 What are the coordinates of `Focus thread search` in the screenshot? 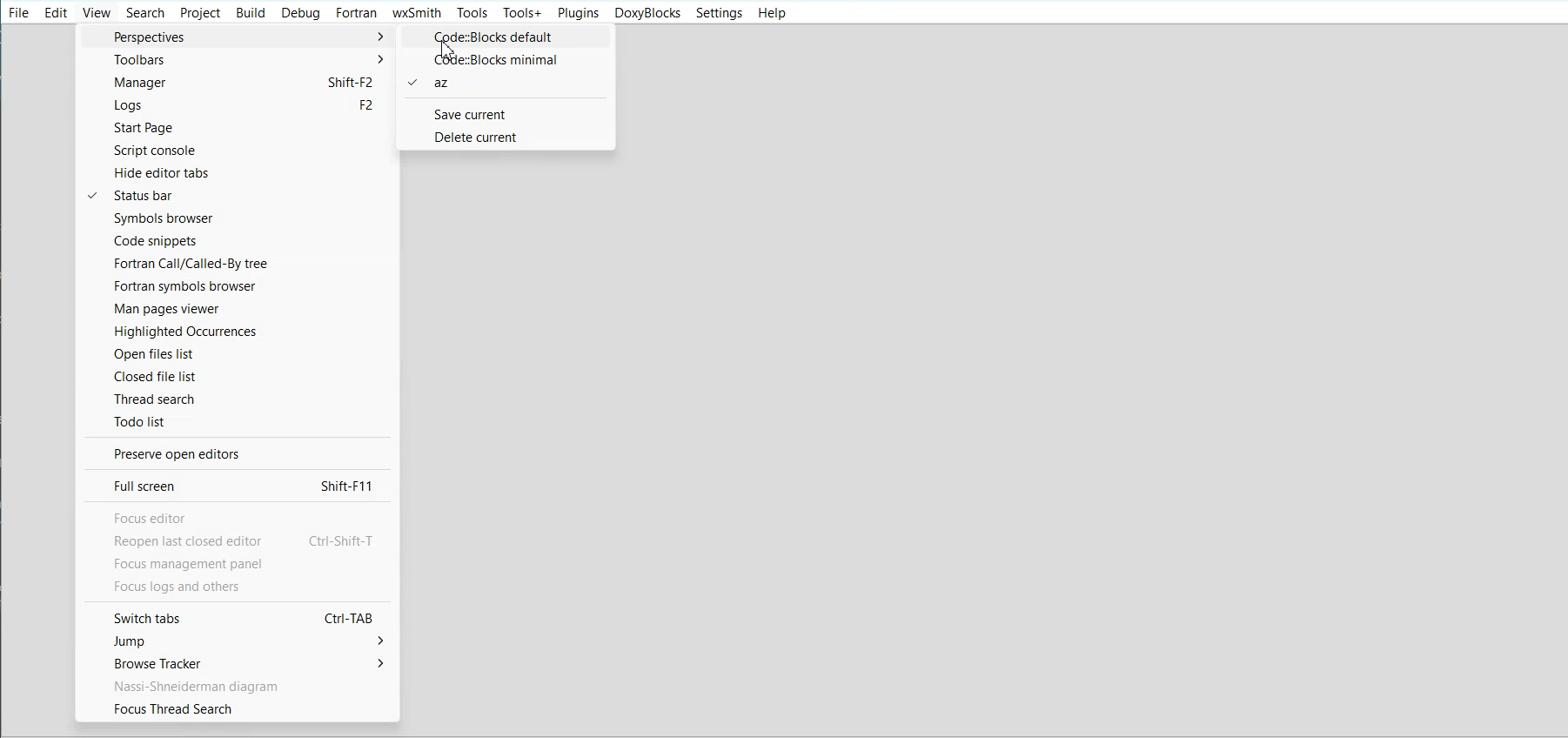 It's located at (245, 708).